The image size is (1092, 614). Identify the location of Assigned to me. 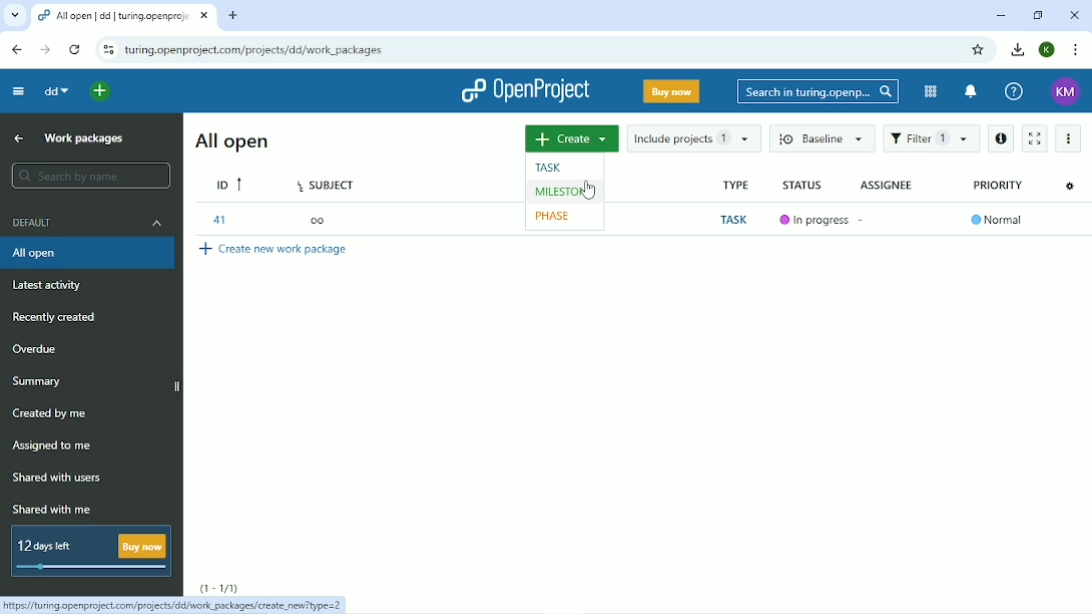
(53, 446).